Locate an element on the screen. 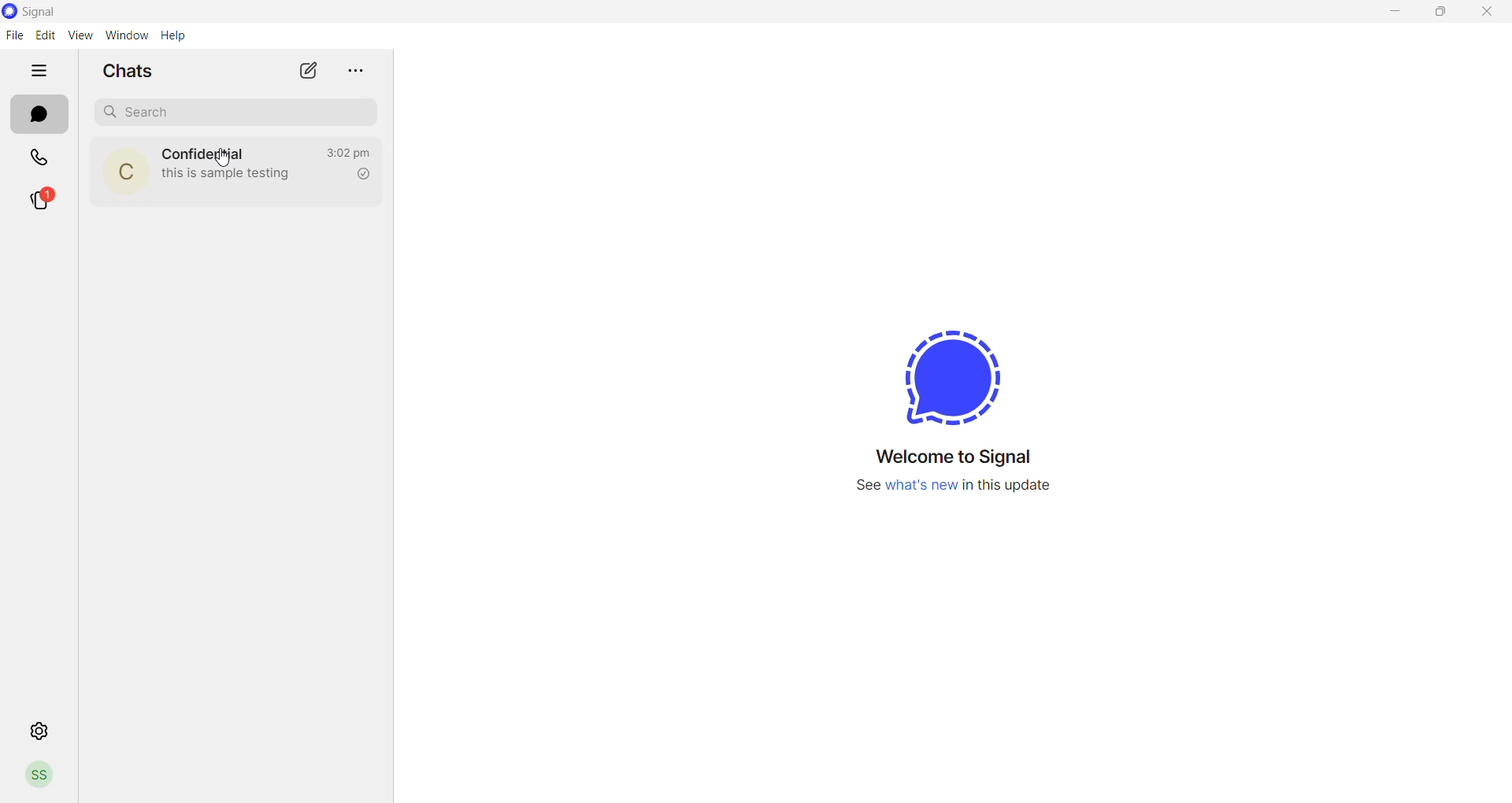 This screenshot has height=803, width=1512. contact name is located at coordinates (206, 152).